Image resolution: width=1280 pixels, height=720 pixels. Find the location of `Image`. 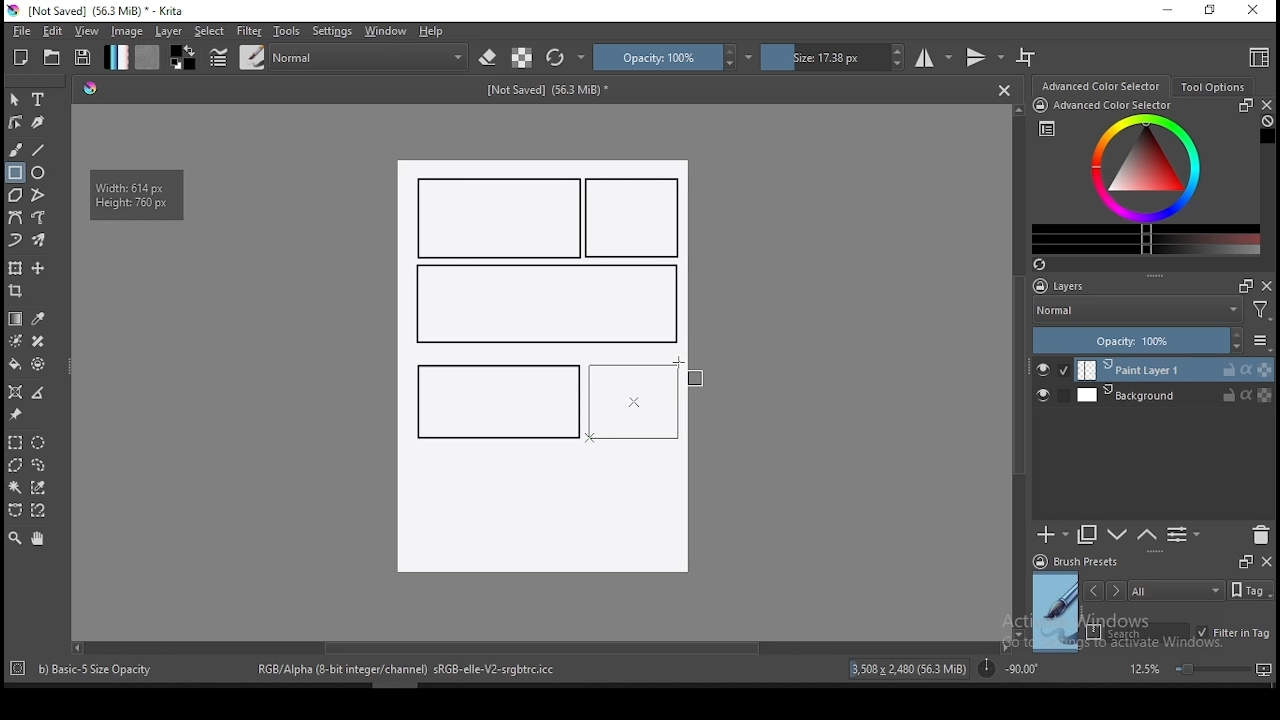

Image is located at coordinates (541, 515).